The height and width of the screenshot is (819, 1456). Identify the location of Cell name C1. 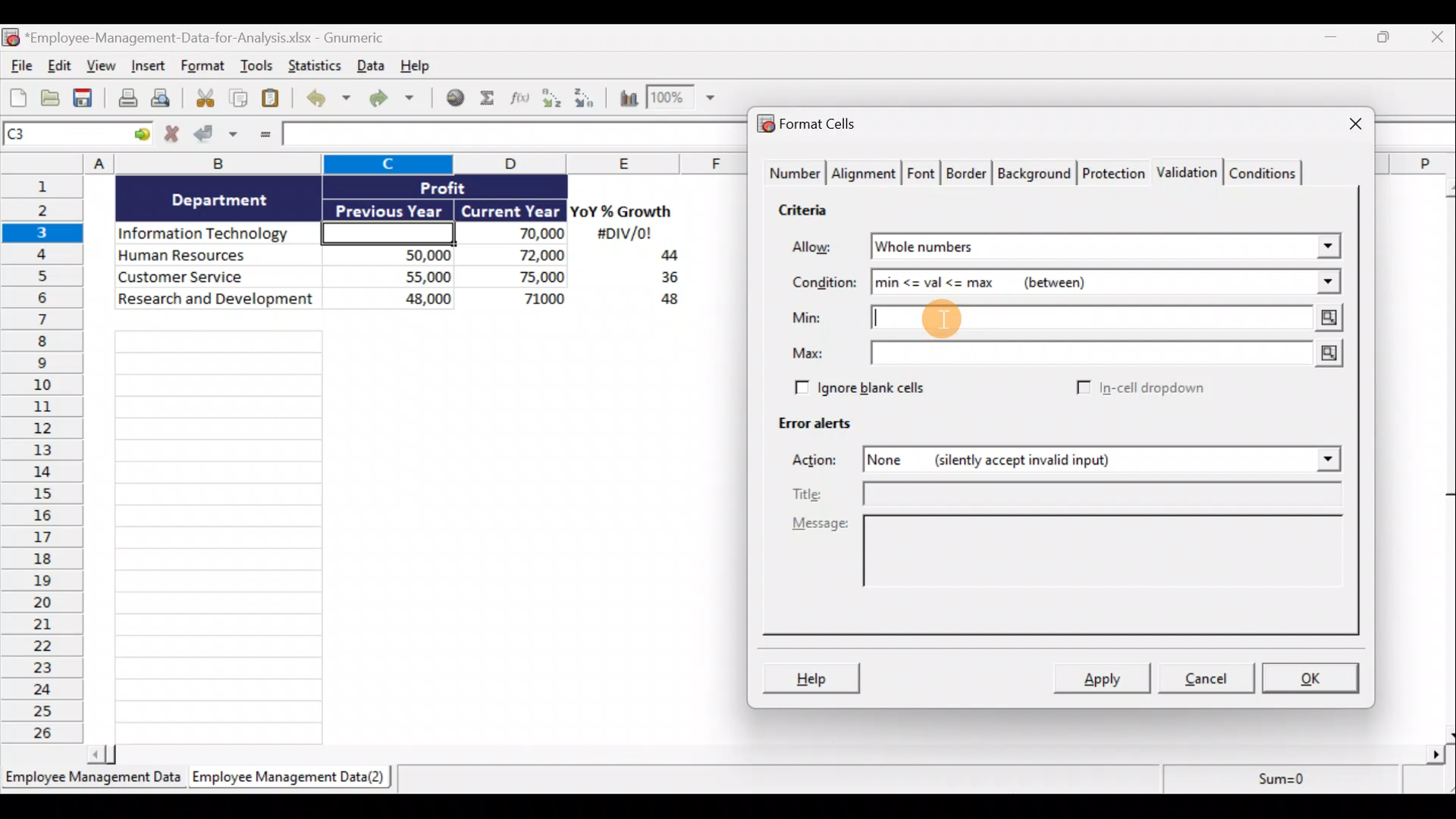
(64, 136).